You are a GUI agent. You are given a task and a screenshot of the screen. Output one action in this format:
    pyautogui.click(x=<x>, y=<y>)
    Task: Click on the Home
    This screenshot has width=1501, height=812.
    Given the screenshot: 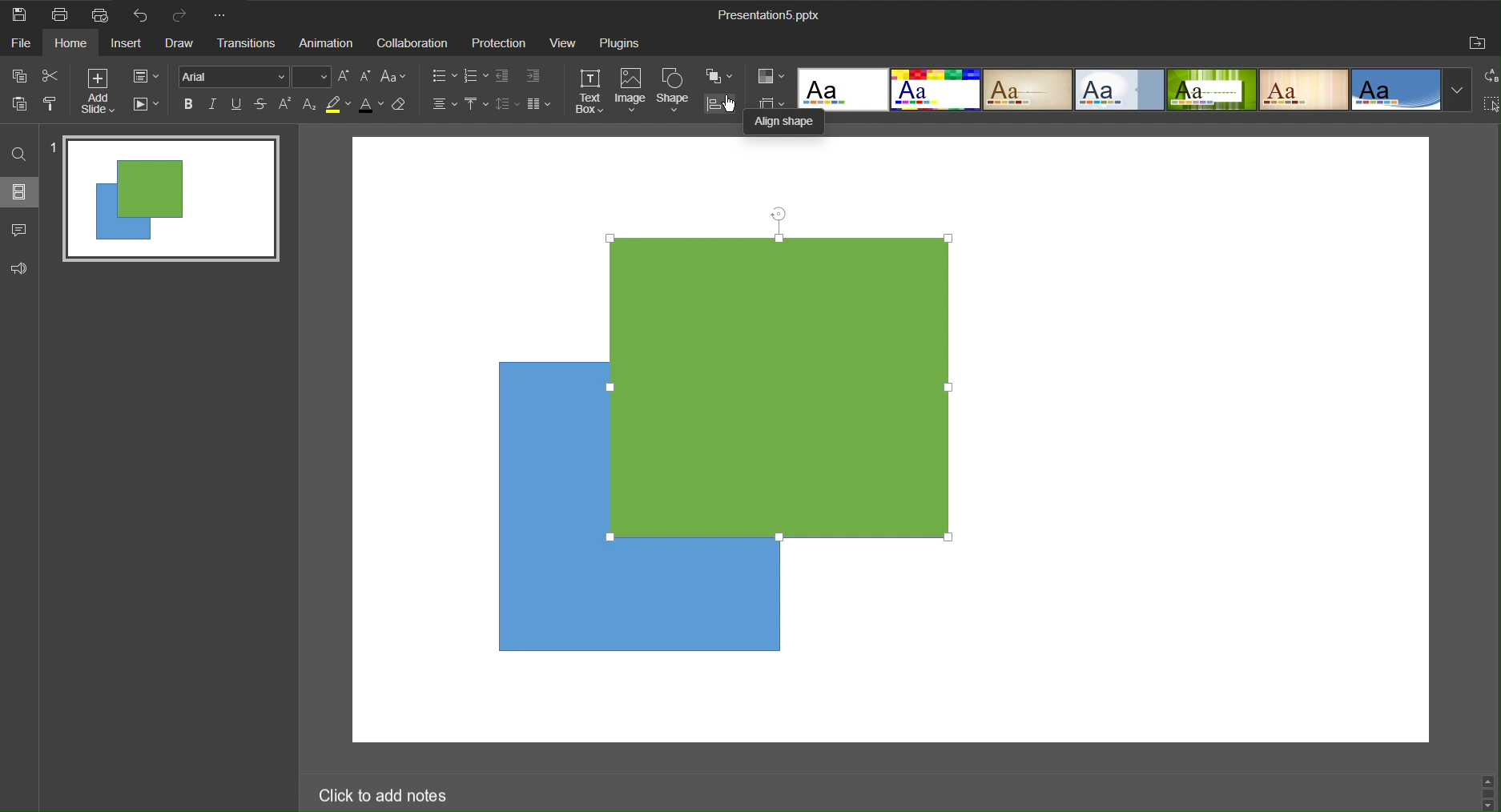 What is the action you would take?
    pyautogui.click(x=81, y=43)
    